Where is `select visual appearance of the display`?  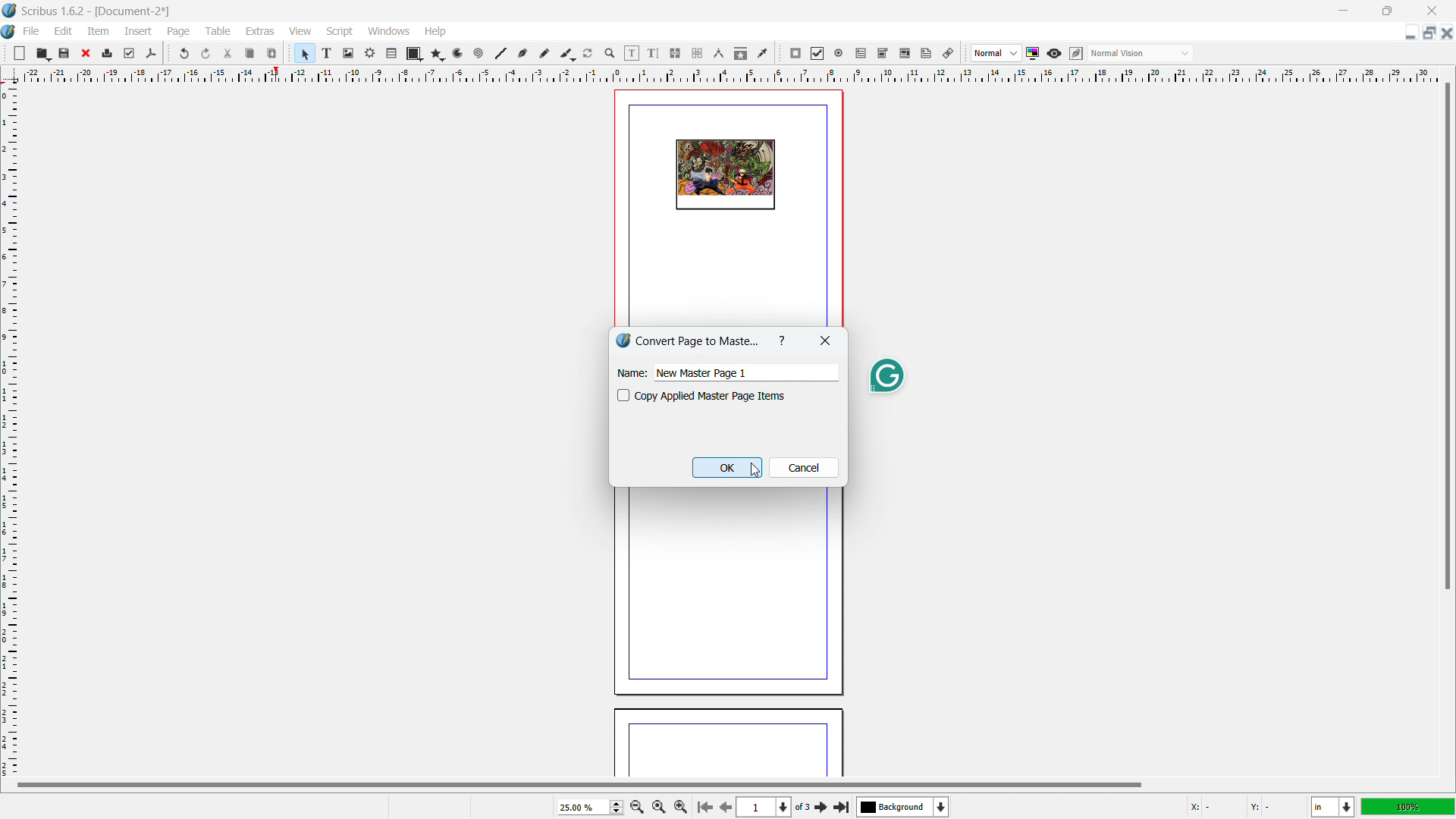
select visual appearance of the display is located at coordinates (1141, 53).